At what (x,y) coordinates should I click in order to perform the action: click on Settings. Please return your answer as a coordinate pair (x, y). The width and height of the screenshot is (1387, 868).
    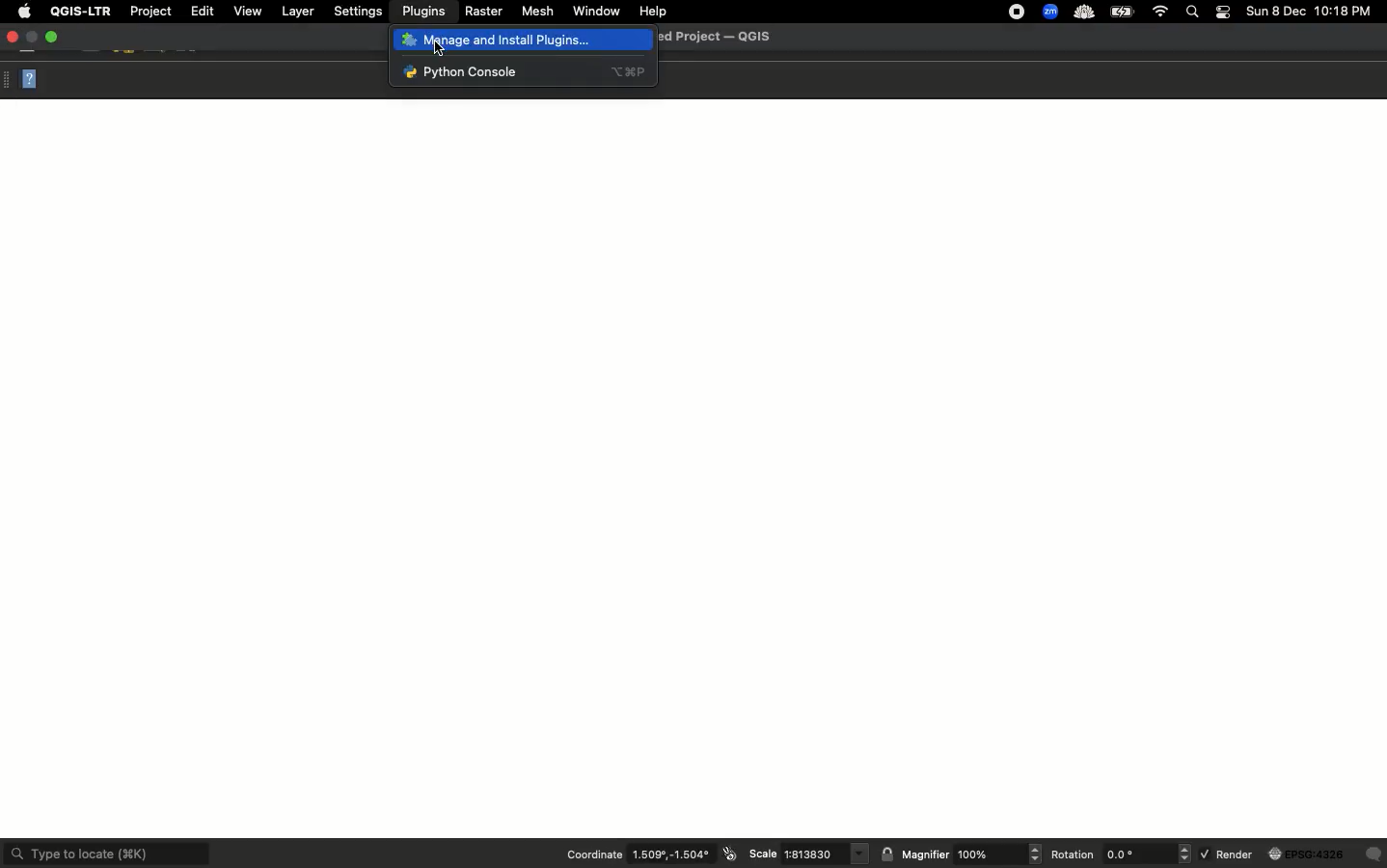
    Looking at the image, I should click on (359, 11).